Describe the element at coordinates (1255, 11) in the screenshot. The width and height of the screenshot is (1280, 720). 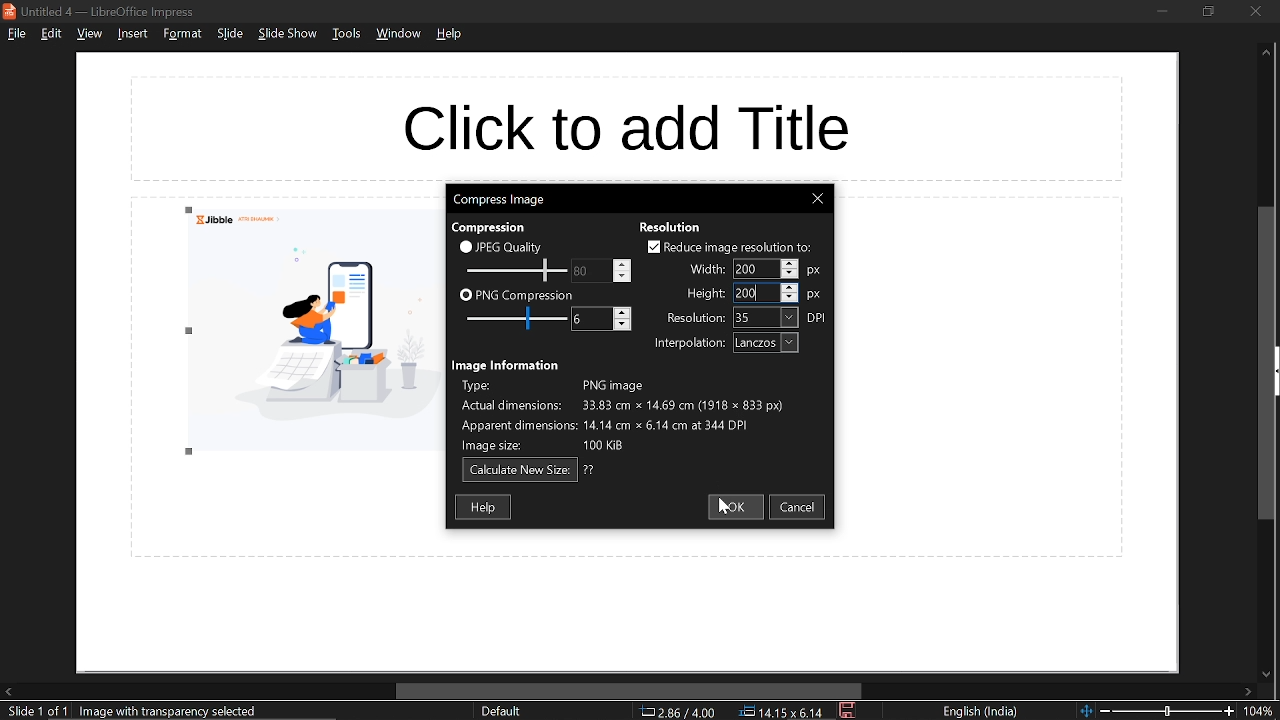
I see `close` at that location.